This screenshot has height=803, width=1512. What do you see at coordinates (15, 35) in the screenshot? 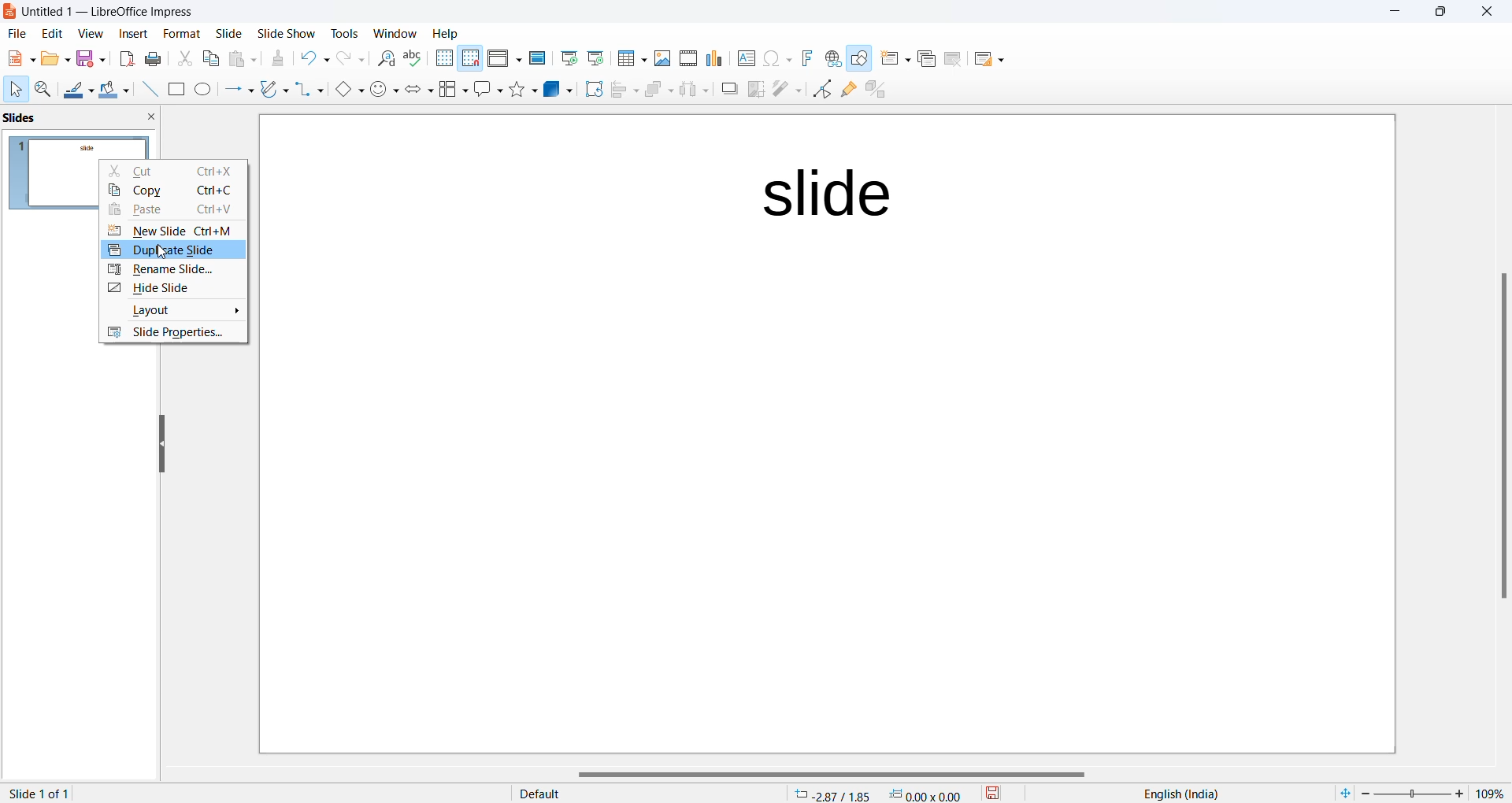
I see `file` at bounding box center [15, 35].